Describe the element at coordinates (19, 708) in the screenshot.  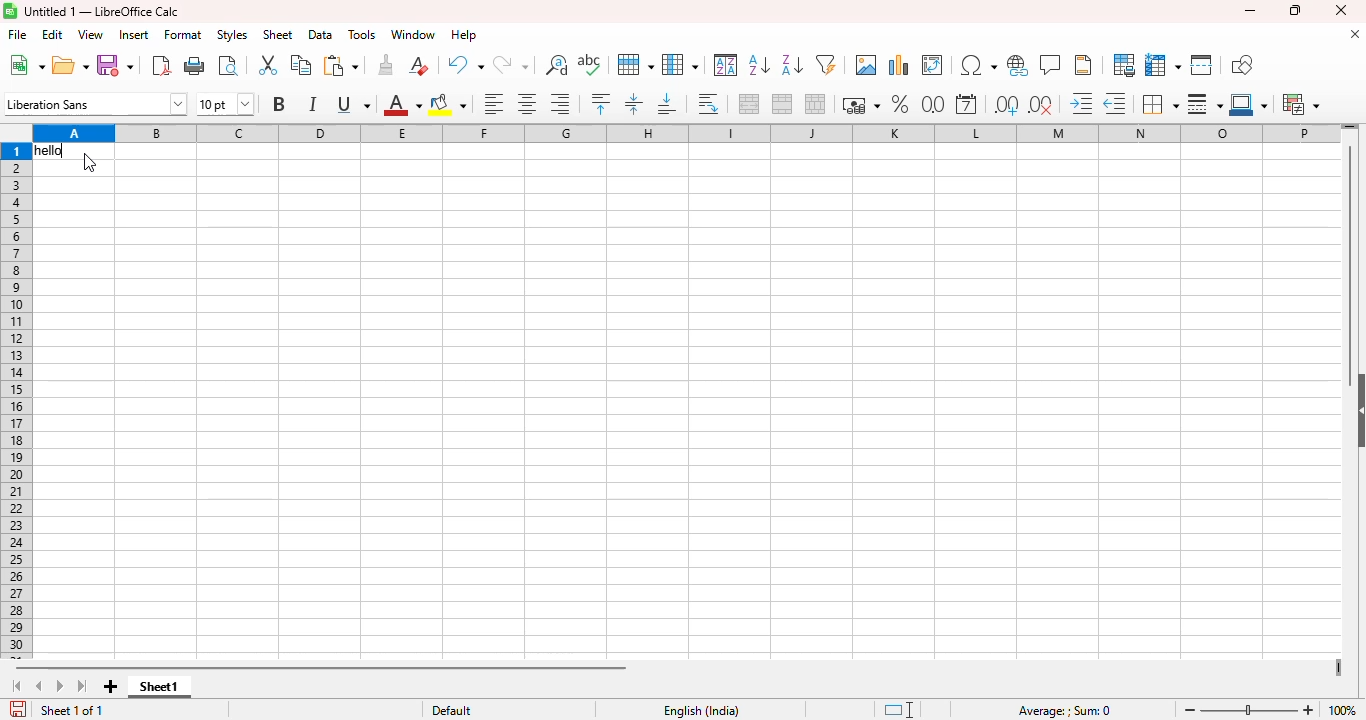
I see `click to save the document` at that location.